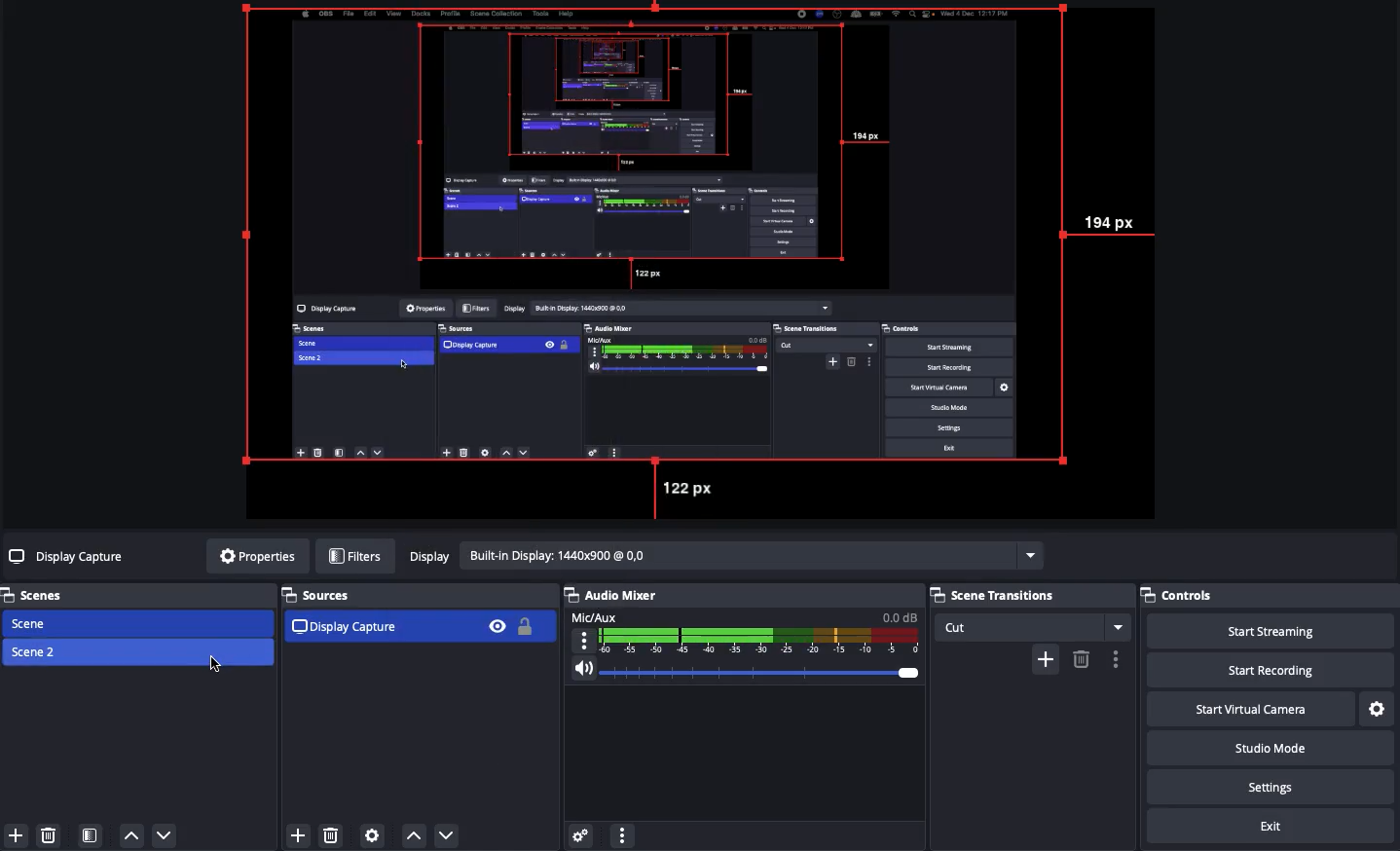  I want to click on Start recording, so click(1265, 669).